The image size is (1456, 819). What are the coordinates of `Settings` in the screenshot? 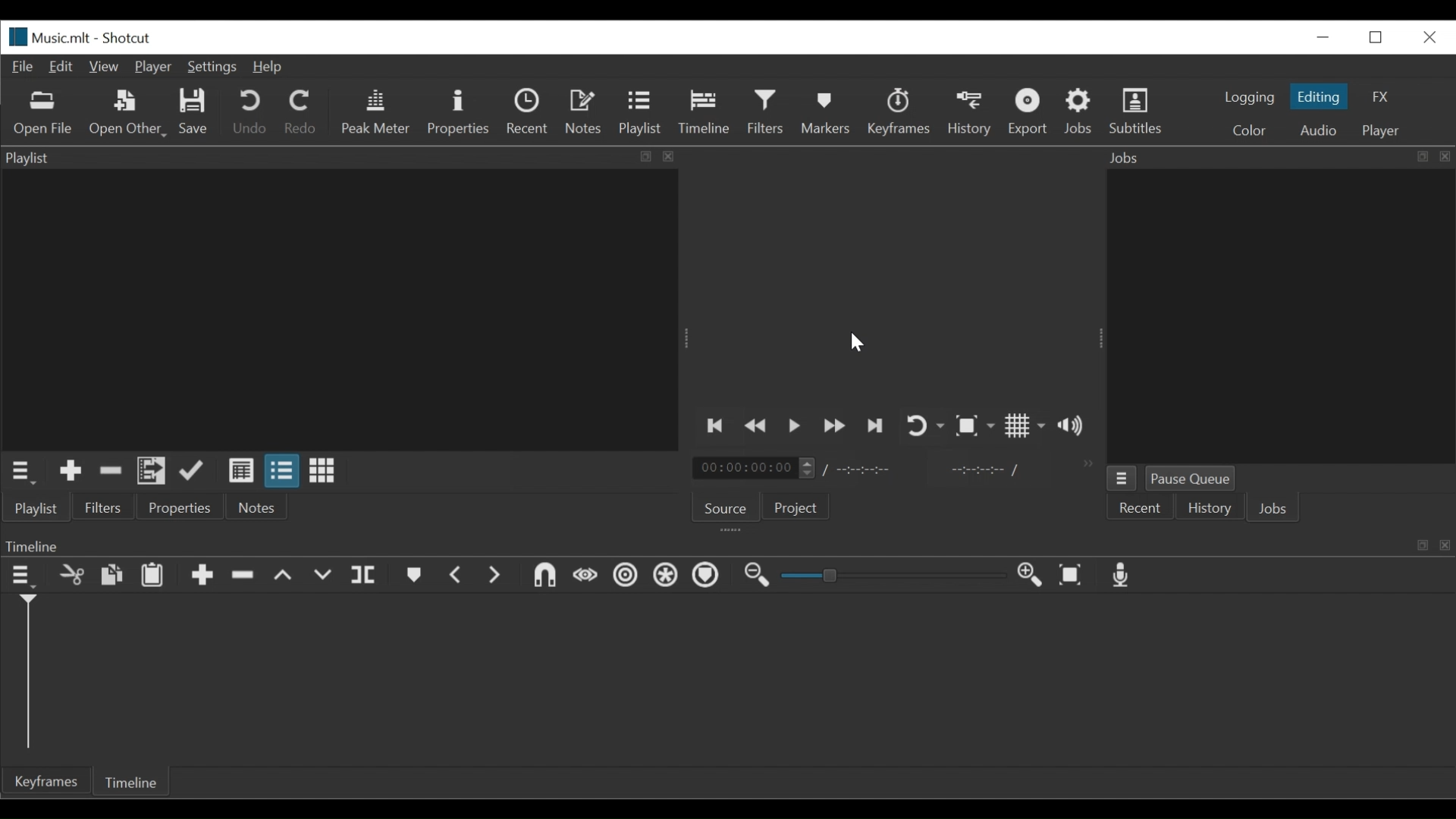 It's located at (212, 67).